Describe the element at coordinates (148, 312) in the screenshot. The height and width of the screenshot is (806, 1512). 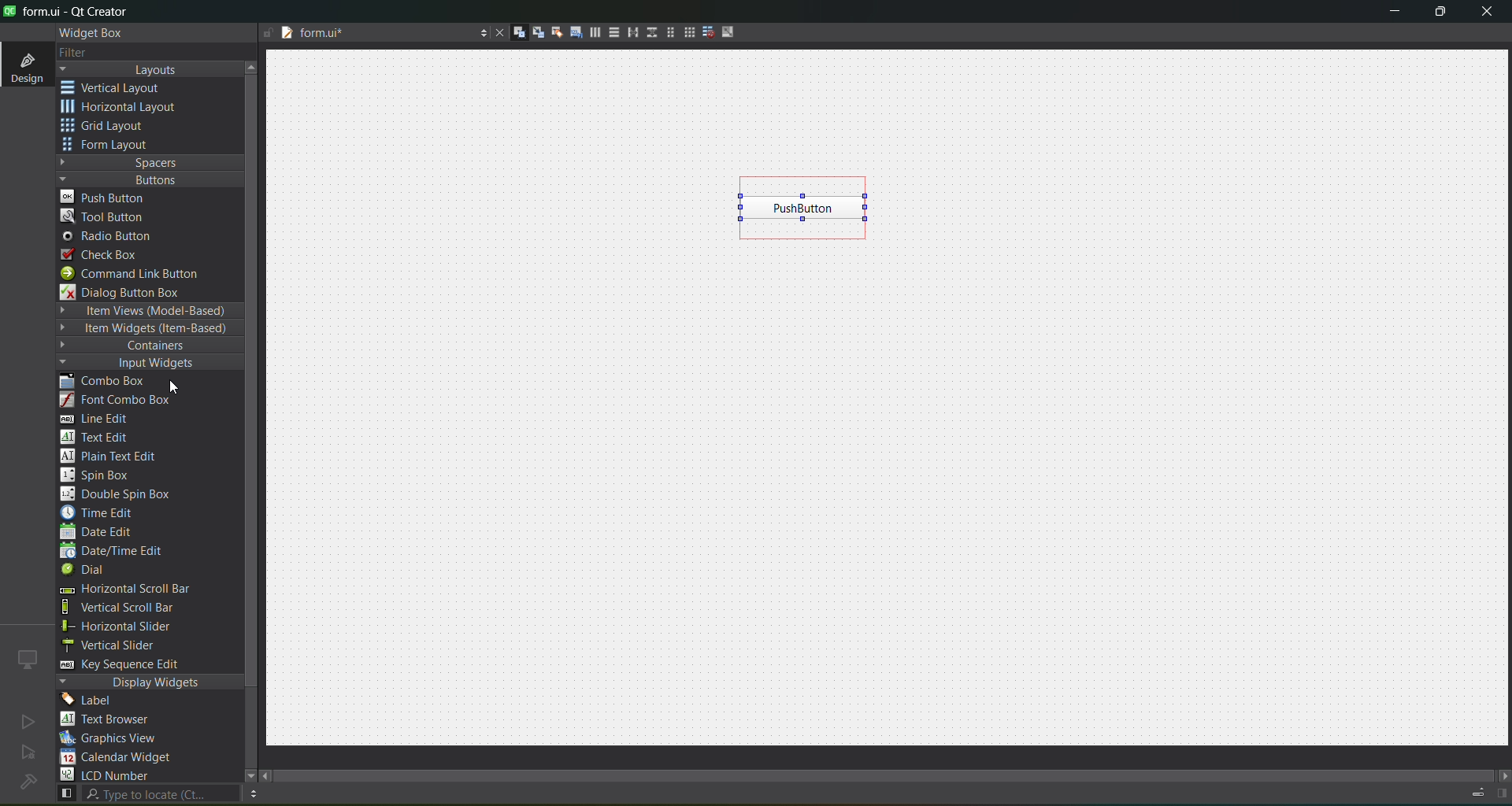
I see `item views` at that location.